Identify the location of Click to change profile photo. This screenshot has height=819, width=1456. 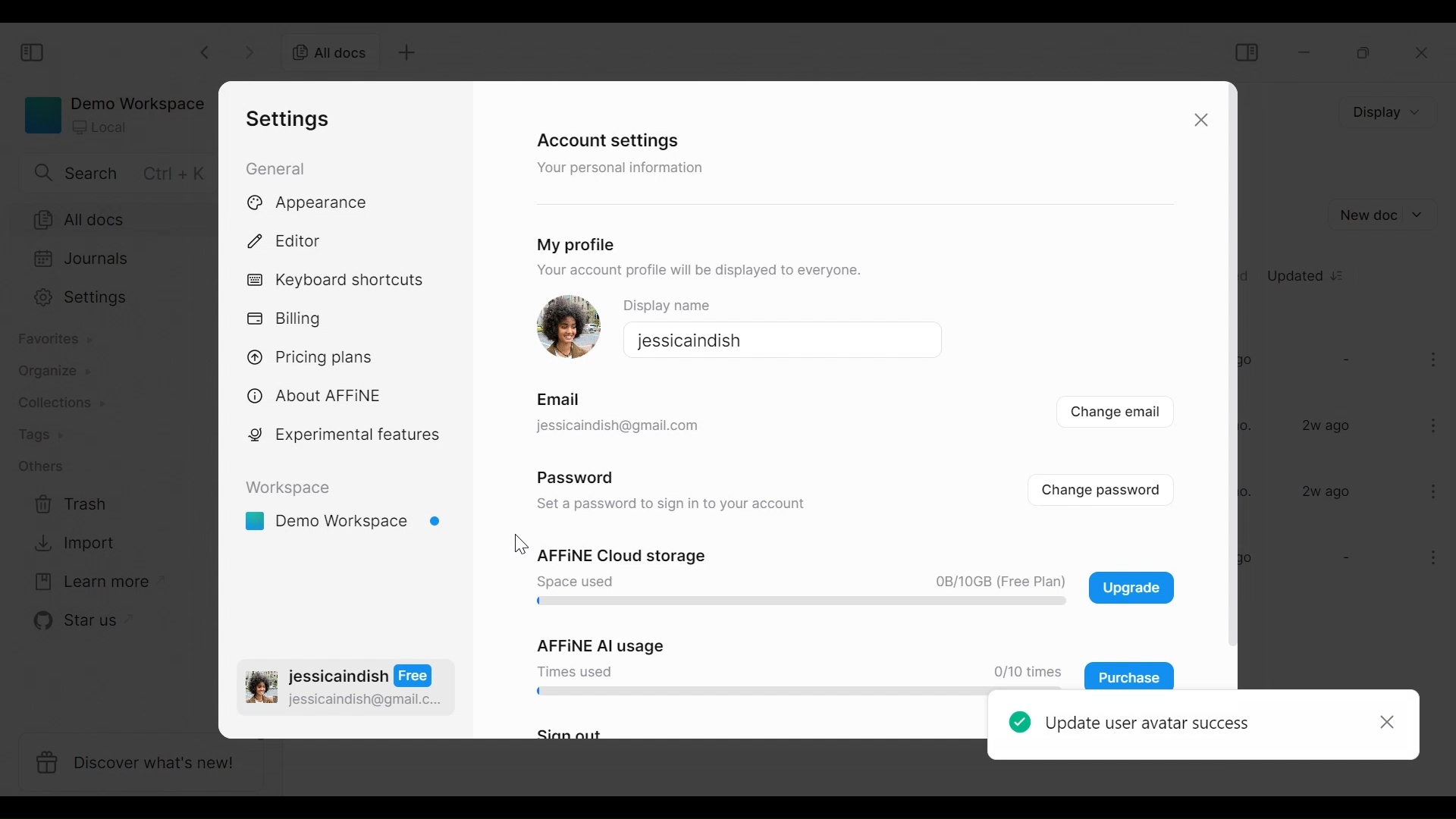
(566, 327).